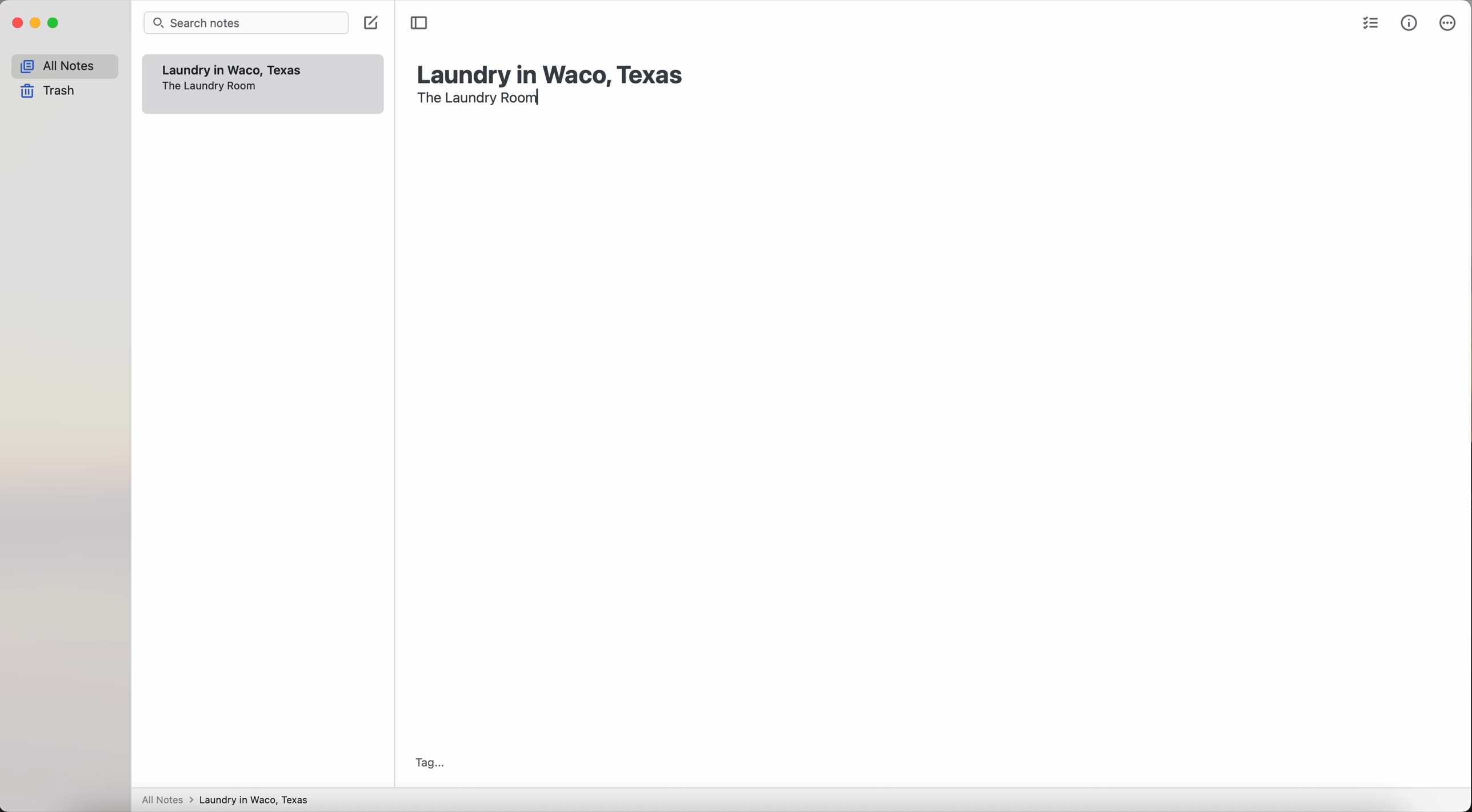 This screenshot has height=812, width=1472. What do you see at coordinates (18, 23) in the screenshot?
I see `close app` at bounding box center [18, 23].